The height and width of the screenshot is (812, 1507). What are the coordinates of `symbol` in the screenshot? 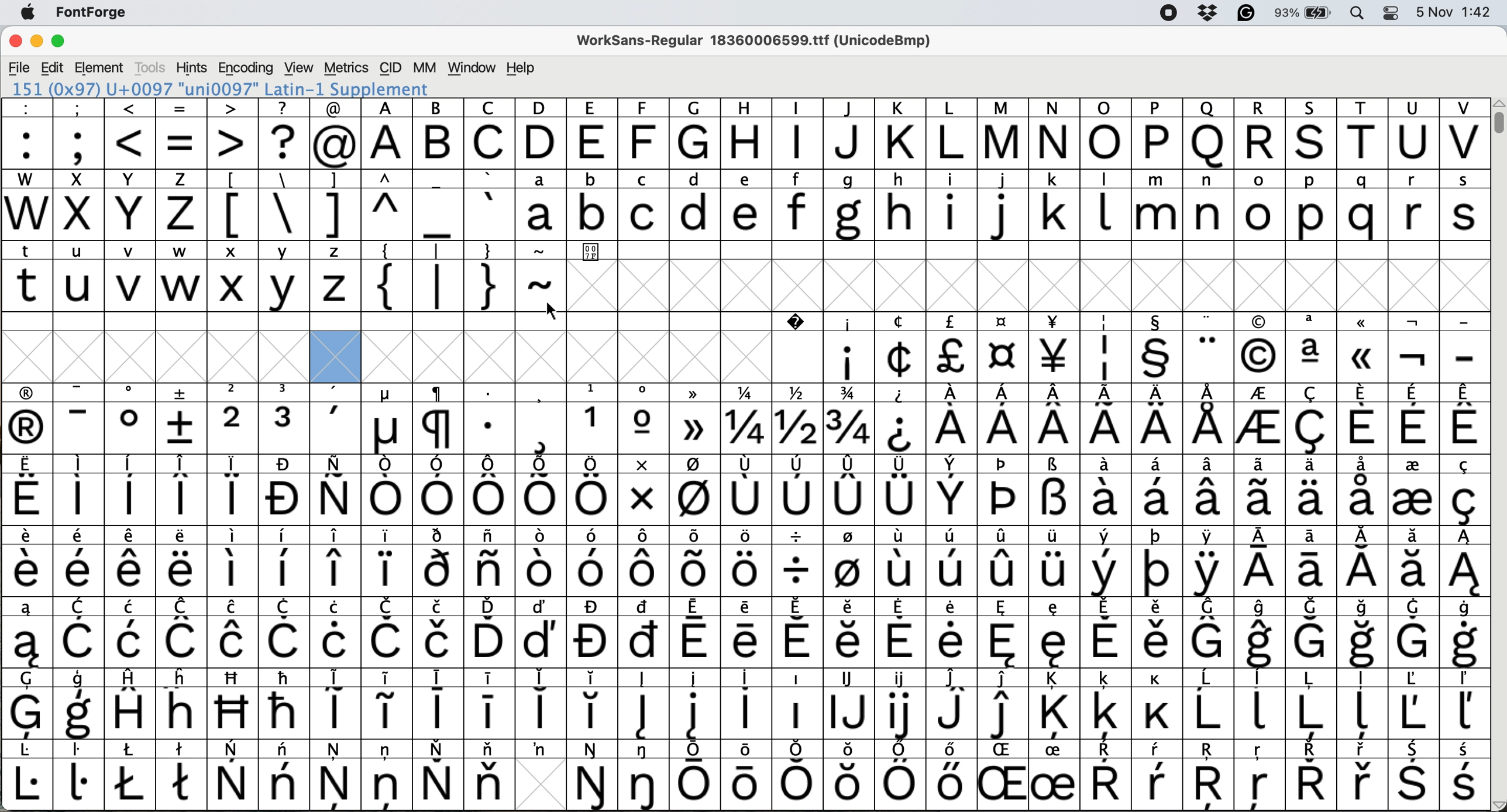 It's located at (543, 490).